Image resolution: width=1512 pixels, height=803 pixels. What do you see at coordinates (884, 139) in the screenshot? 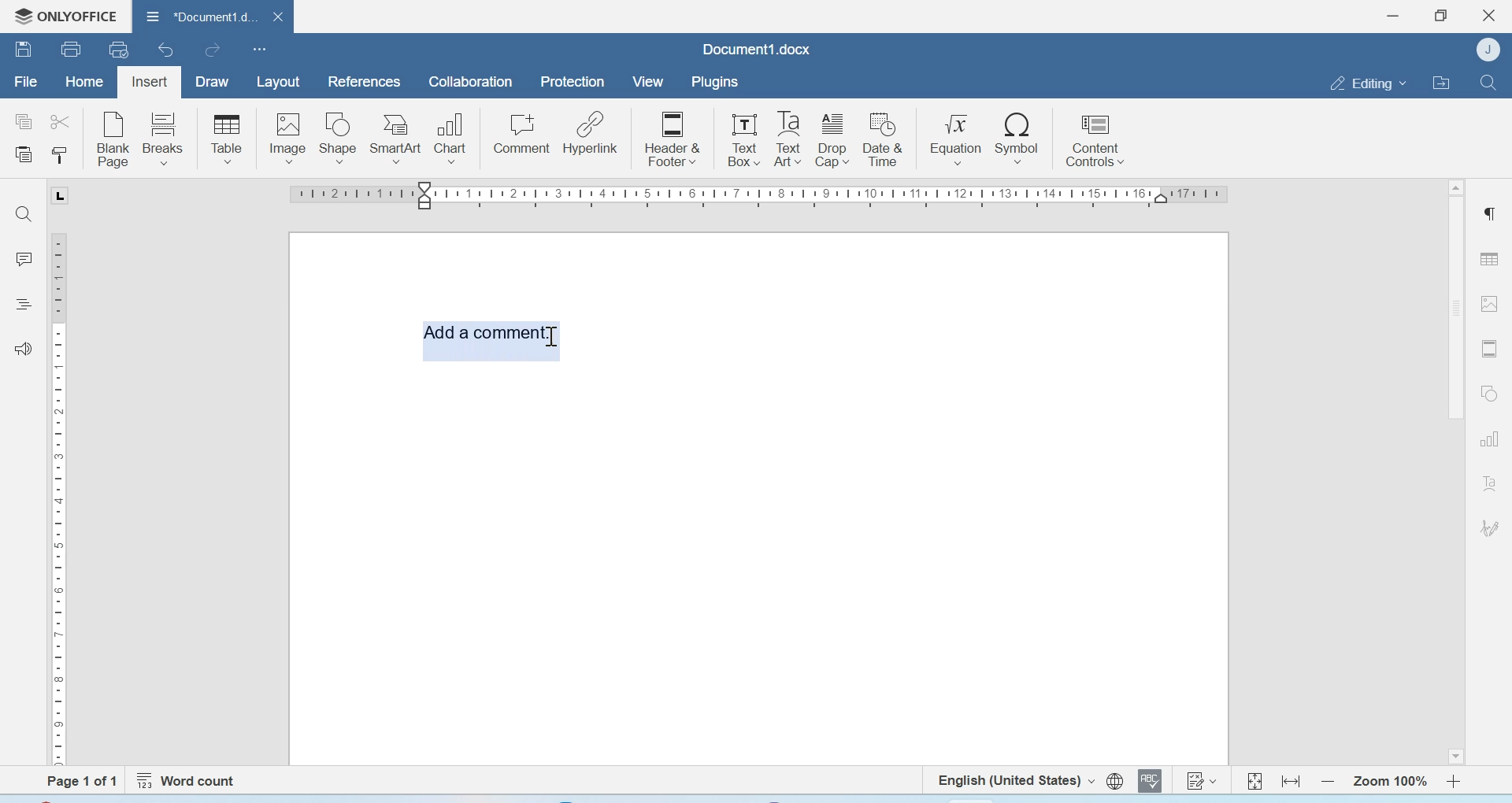
I see `Date & Time` at bounding box center [884, 139].